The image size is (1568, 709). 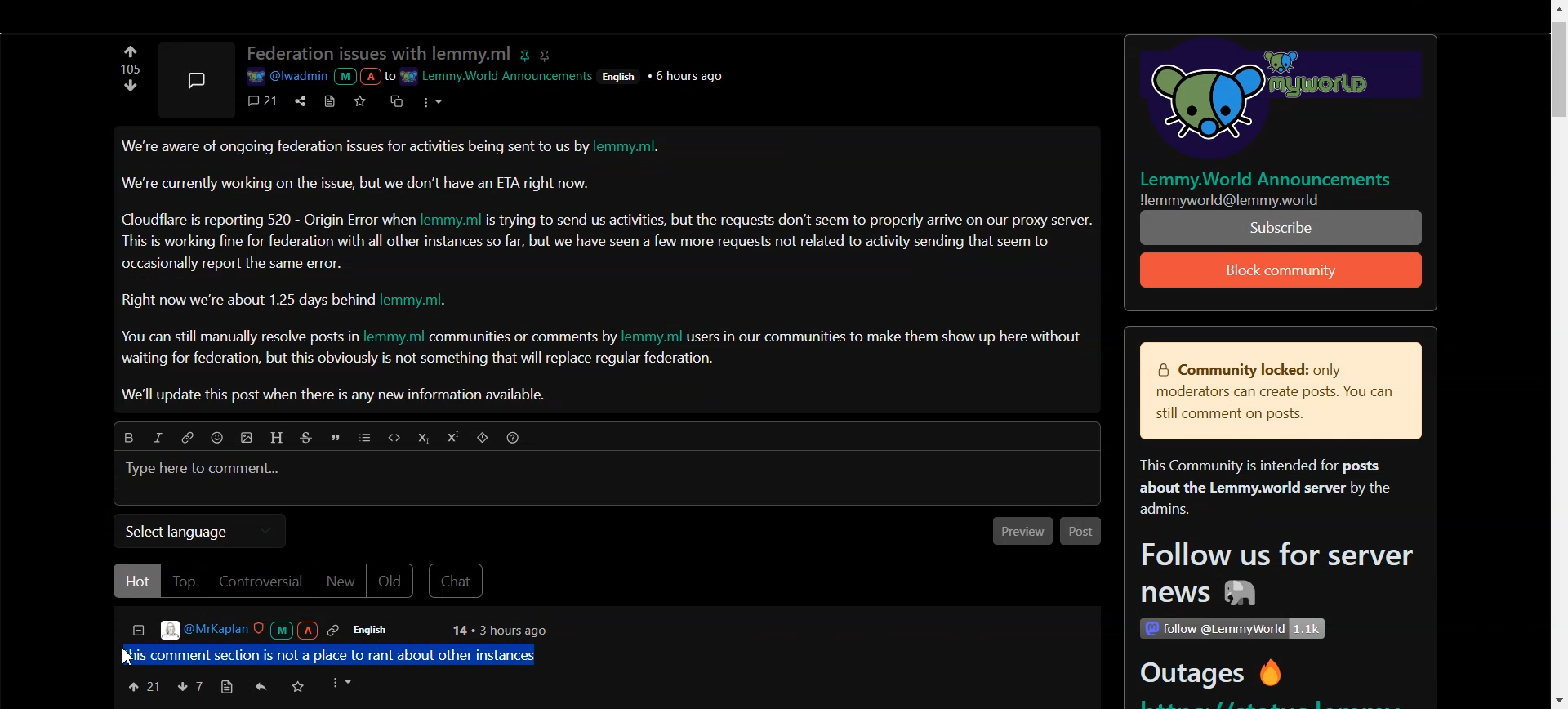 What do you see at coordinates (205, 470) in the screenshot?
I see `Type here to comment...` at bounding box center [205, 470].